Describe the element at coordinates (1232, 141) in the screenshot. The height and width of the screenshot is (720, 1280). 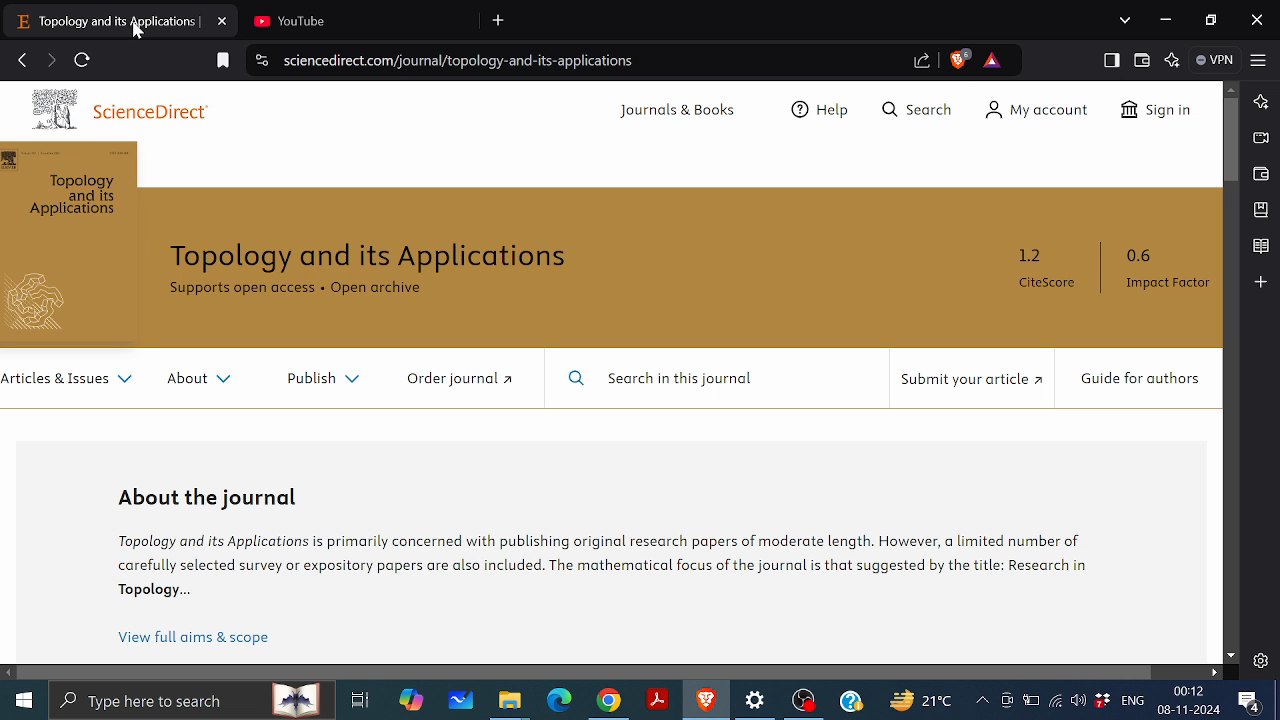
I see `Vertical scroll bar` at that location.